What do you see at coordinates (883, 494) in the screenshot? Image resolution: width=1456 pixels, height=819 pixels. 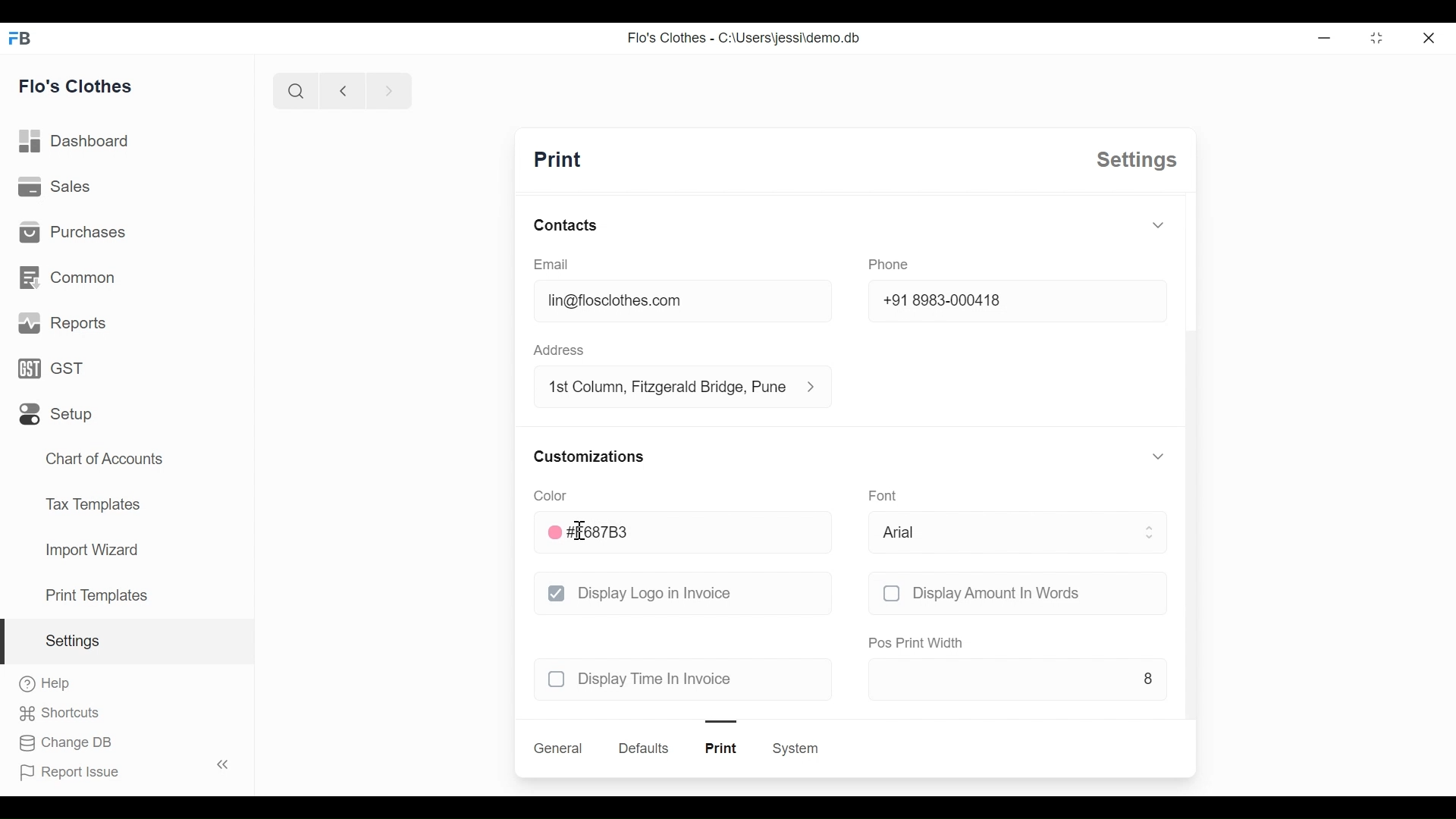 I see `font` at bounding box center [883, 494].